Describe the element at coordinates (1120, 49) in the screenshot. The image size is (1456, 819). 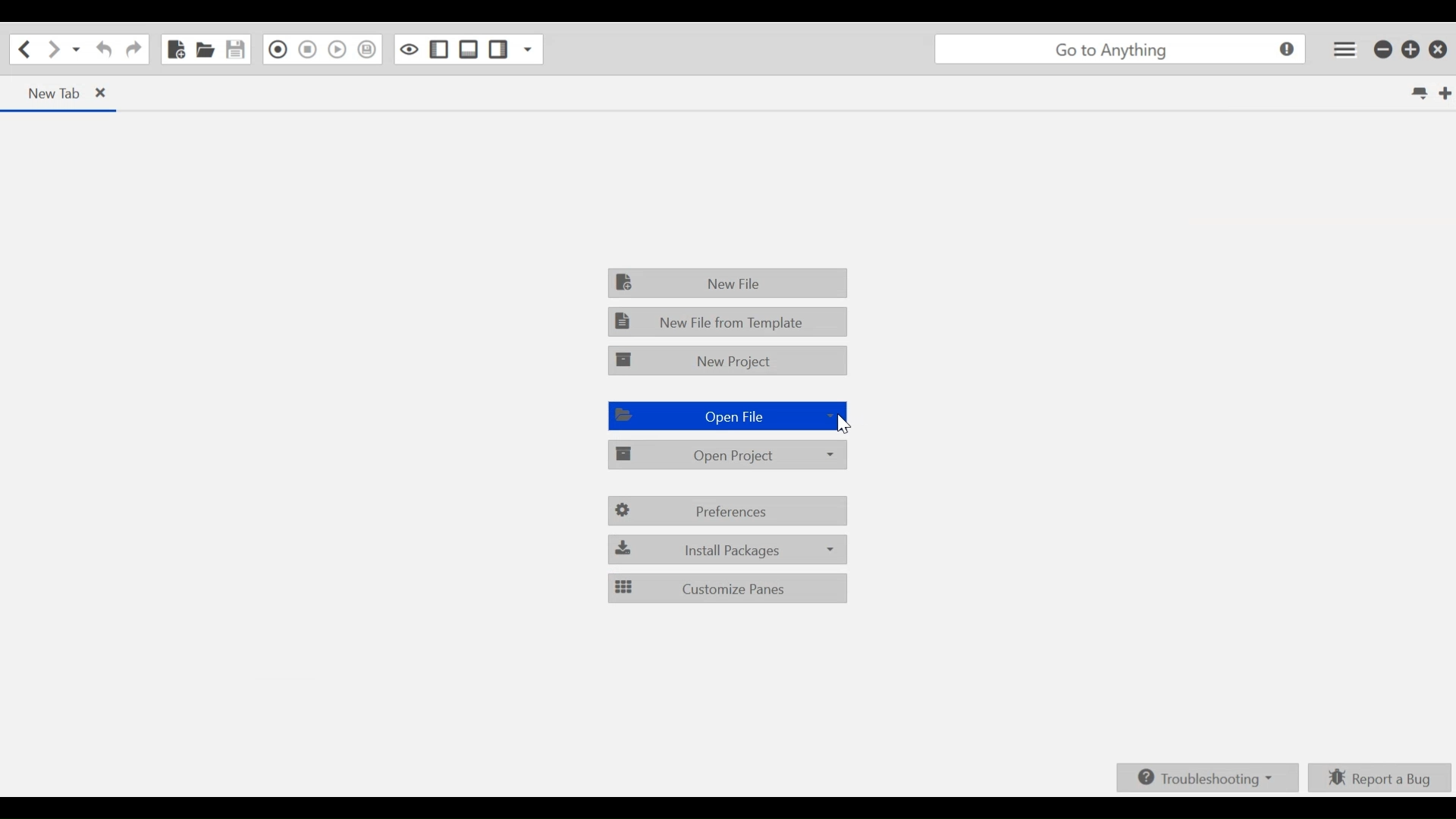
I see `go to anything` at that location.